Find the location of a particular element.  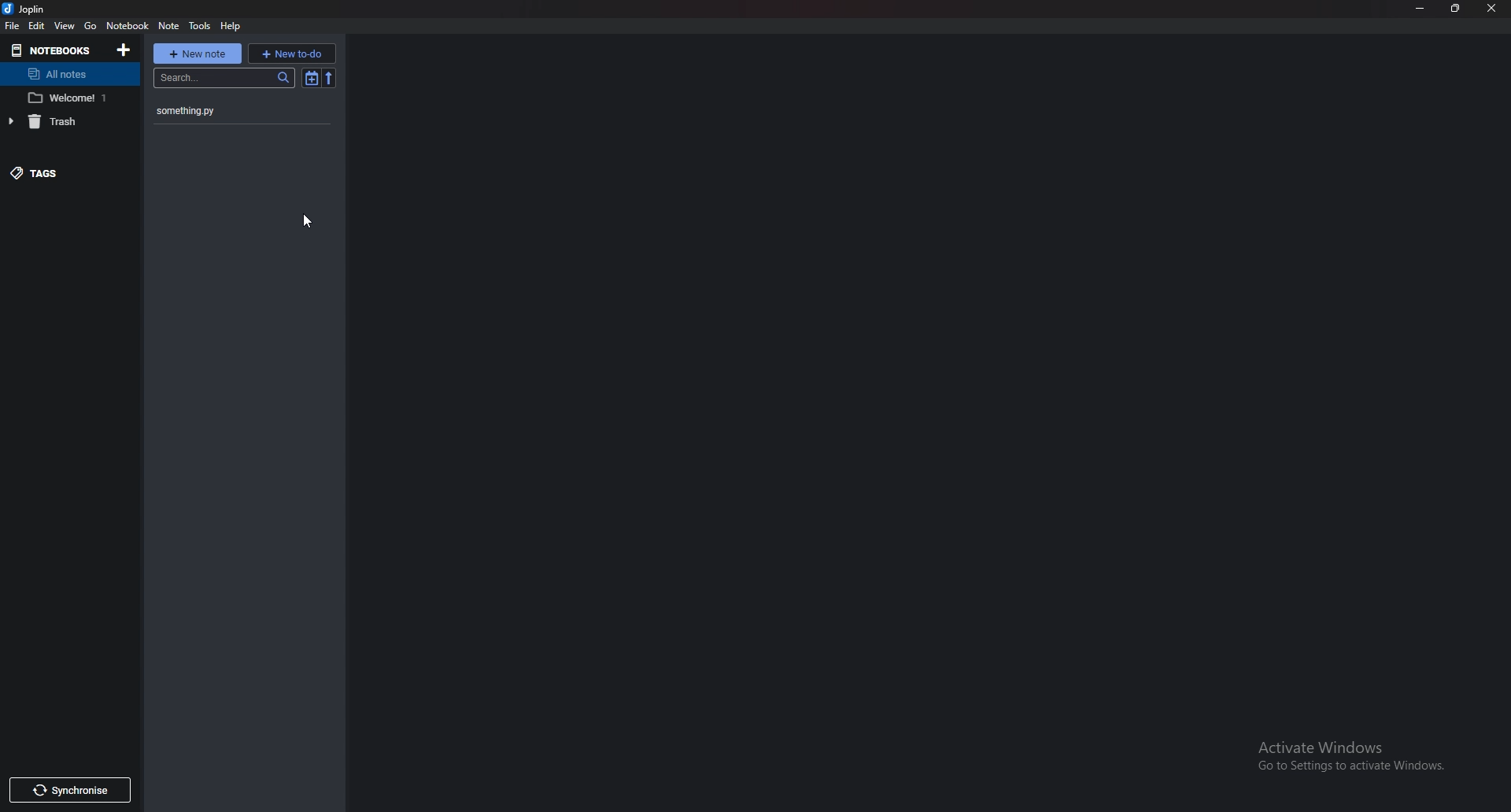

Resize is located at coordinates (1455, 8).